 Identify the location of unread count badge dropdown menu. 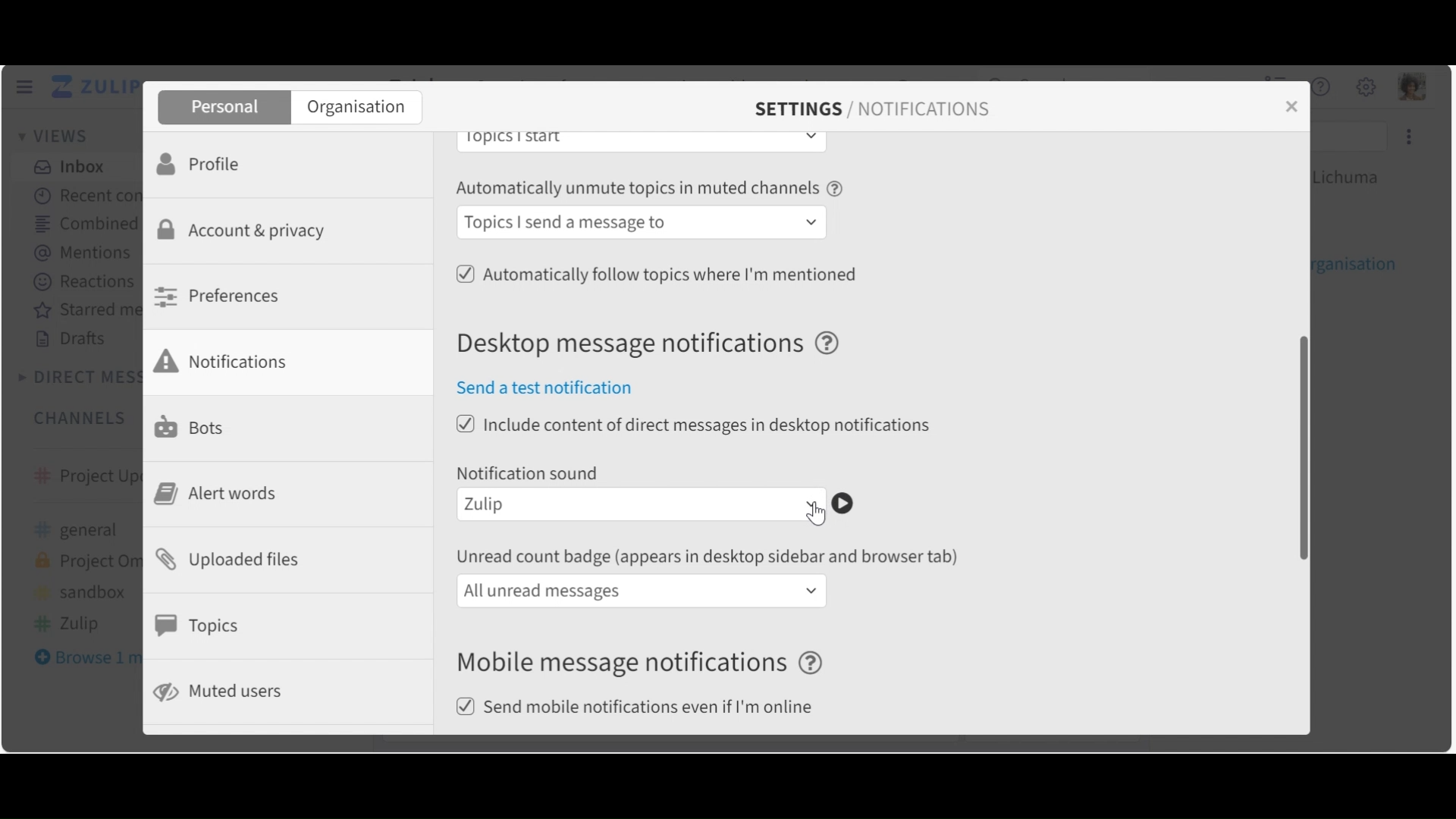
(642, 591).